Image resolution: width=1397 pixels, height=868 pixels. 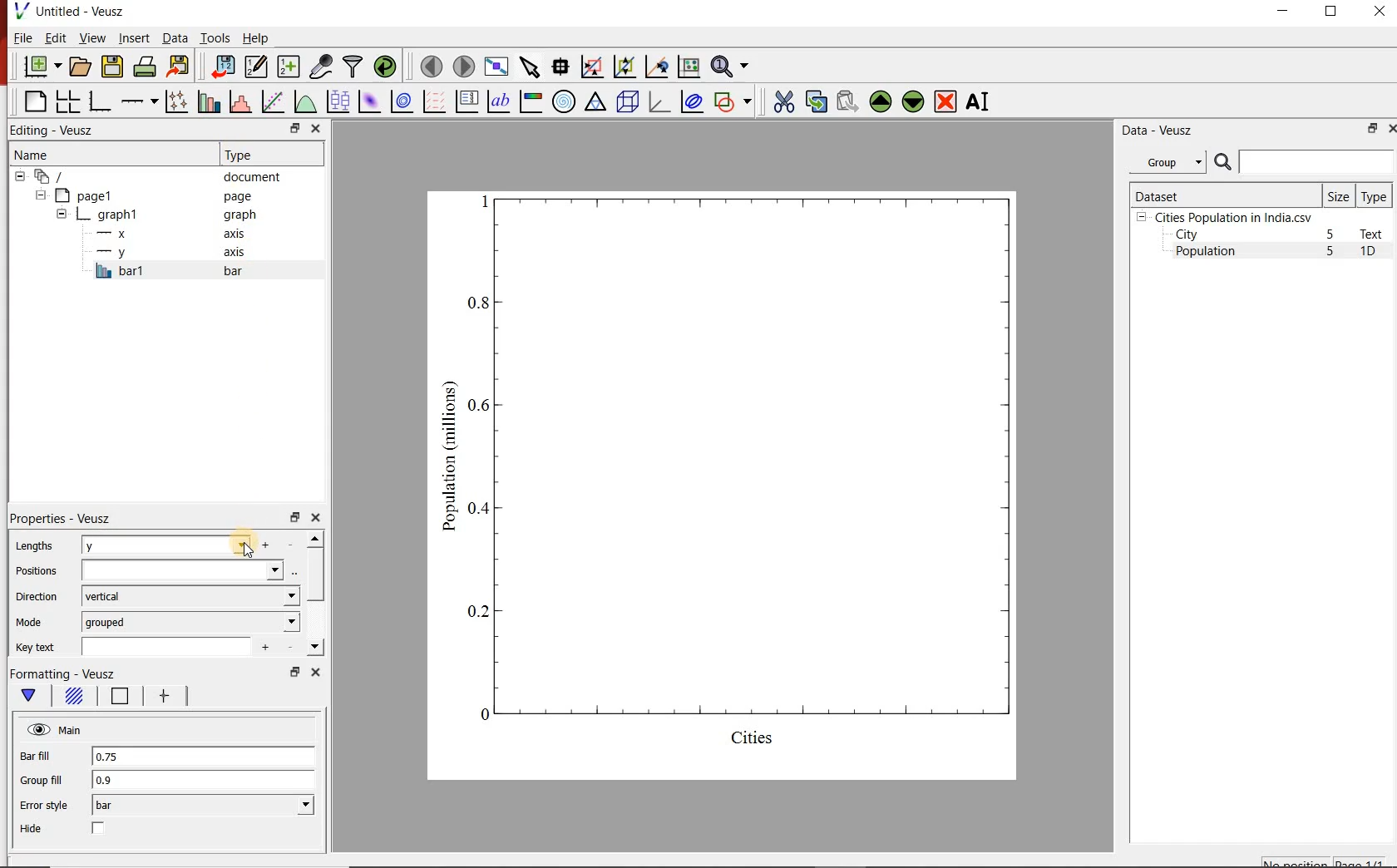 What do you see at coordinates (655, 67) in the screenshot?
I see `click to recenter graph axes` at bounding box center [655, 67].